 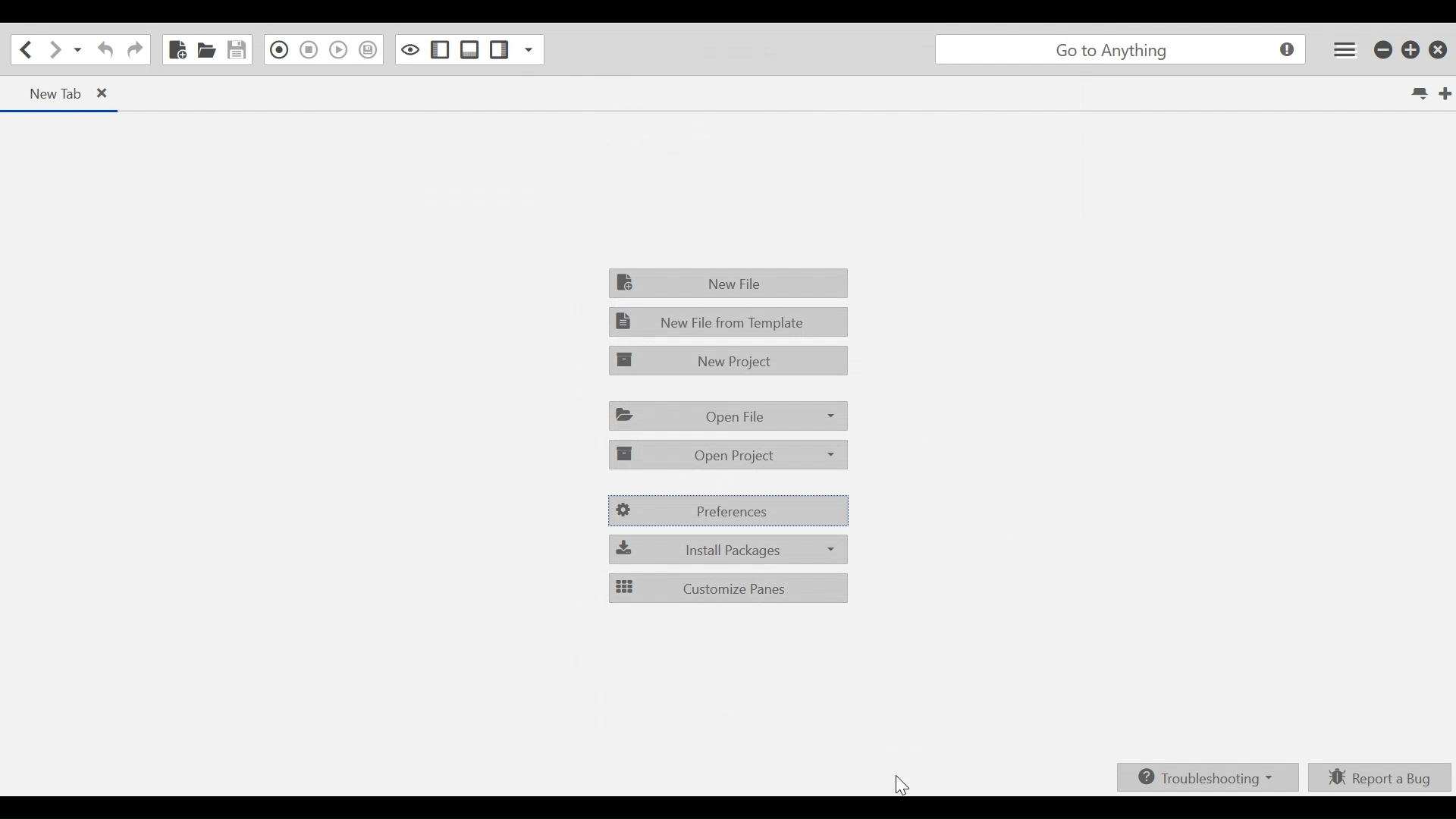 I want to click on Report a bug, so click(x=1377, y=778).